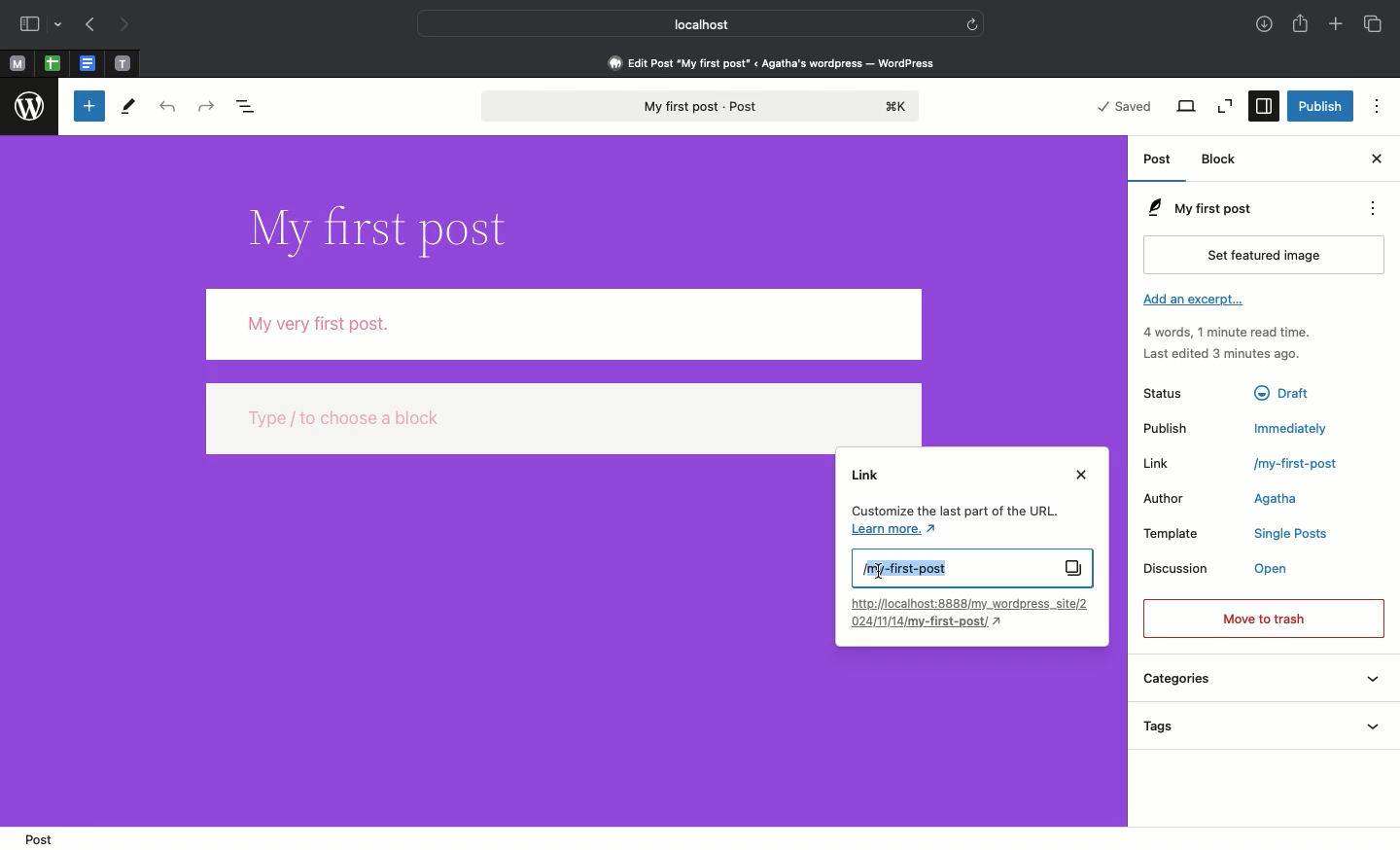 Image resolution: width=1400 pixels, height=850 pixels. What do you see at coordinates (1264, 620) in the screenshot?
I see `Move to trash` at bounding box center [1264, 620].